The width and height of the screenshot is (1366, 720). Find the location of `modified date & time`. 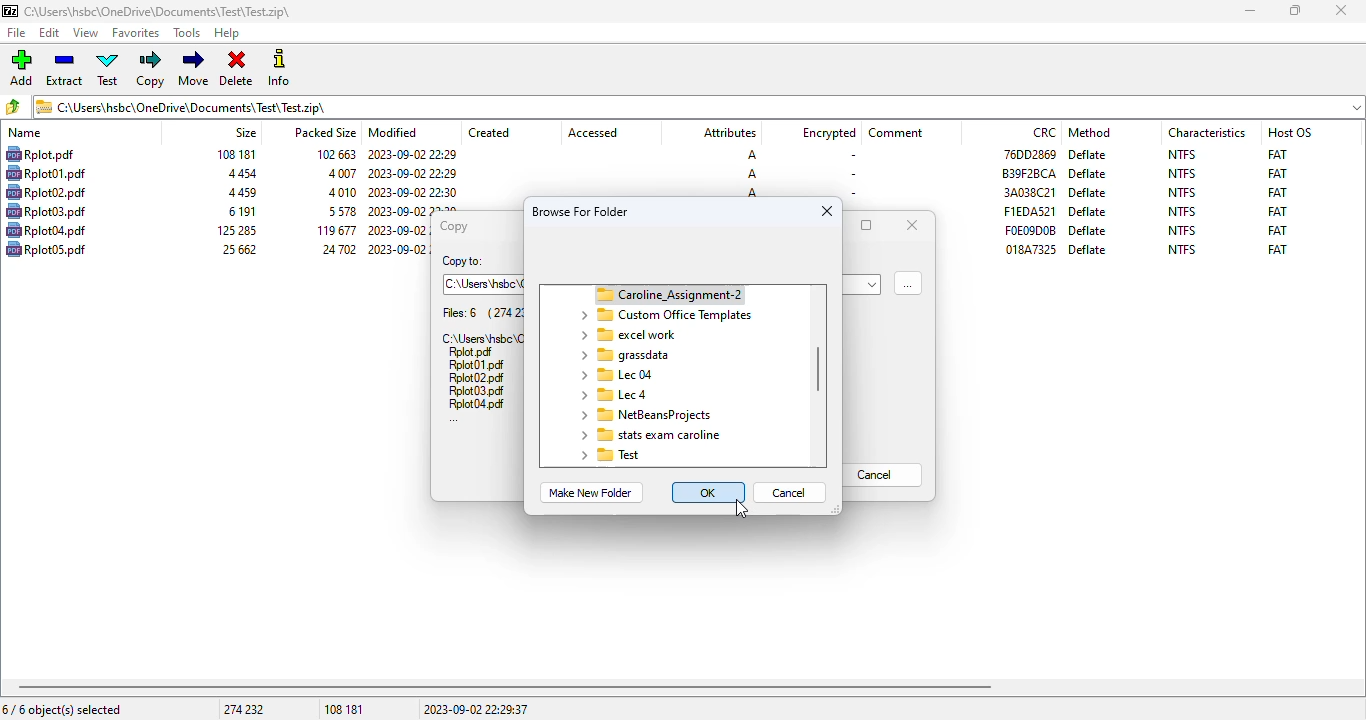

modified date & time is located at coordinates (396, 248).